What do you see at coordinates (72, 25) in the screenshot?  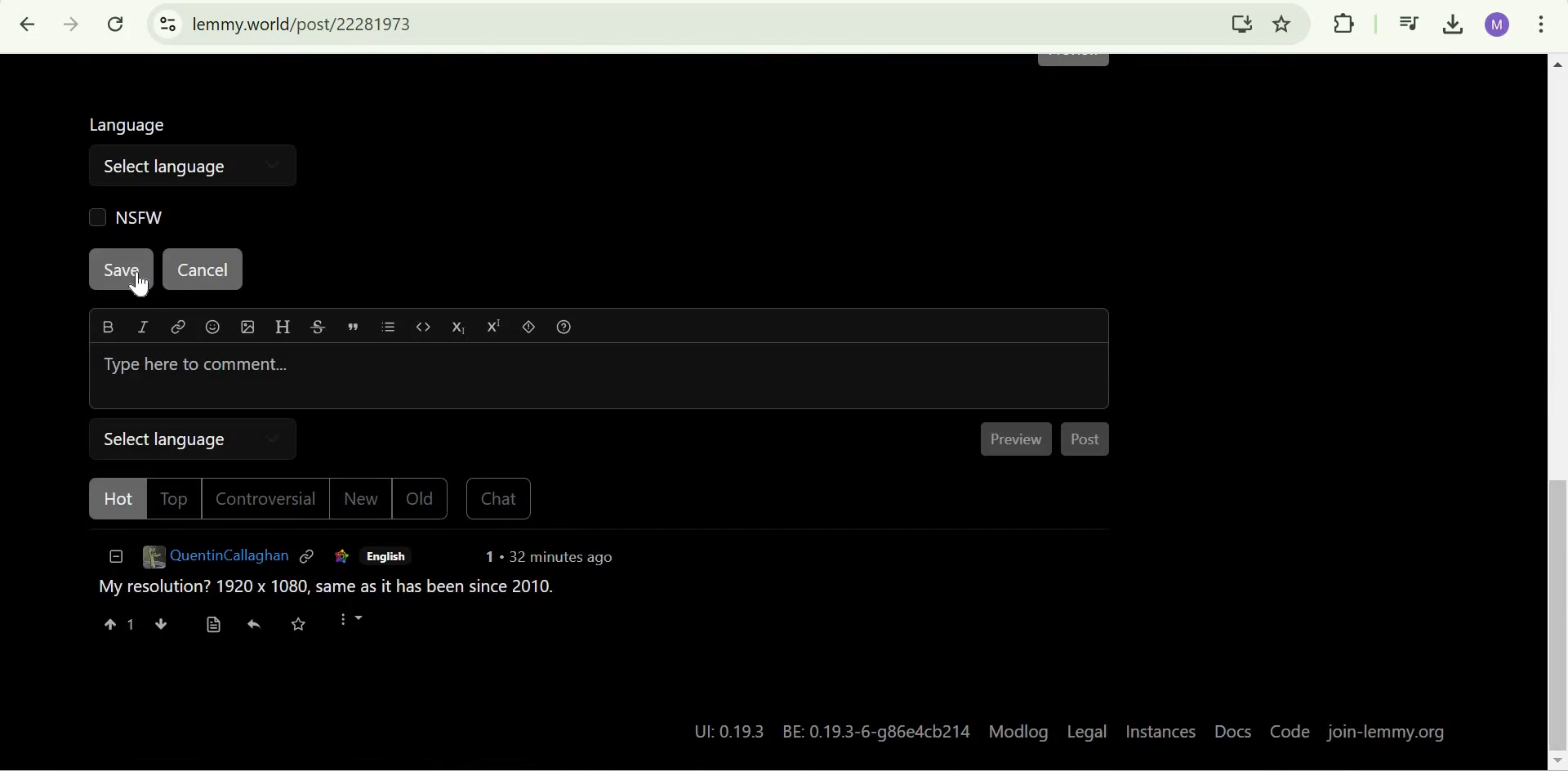 I see `Click to go forward, hold to see history` at bounding box center [72, 25].